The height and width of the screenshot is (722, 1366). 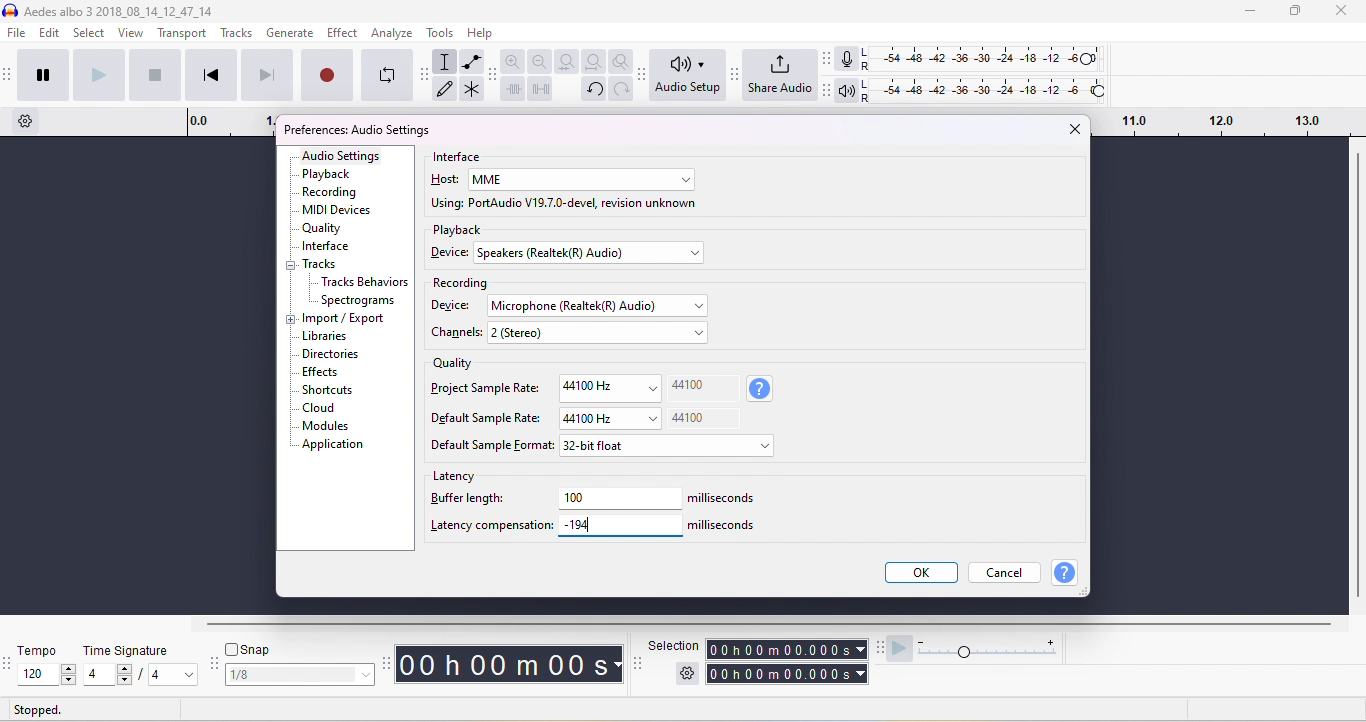 What do you see at coordinates (827, 58) in the screenshot?
I see `audacity audio meter toolbar` at bounding box center [827, 58].